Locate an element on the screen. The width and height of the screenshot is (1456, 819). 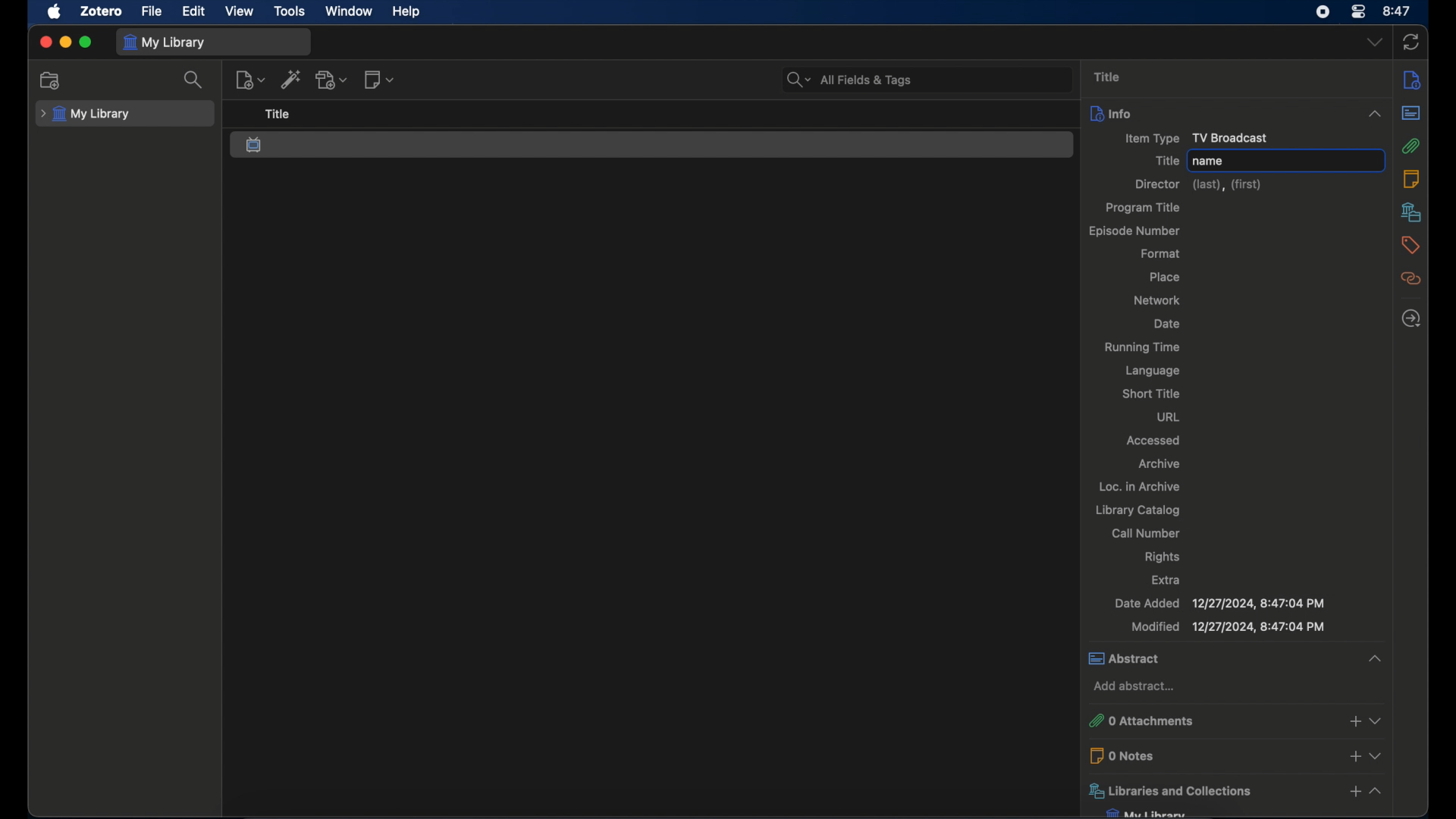
date added is located at coordinates (1219, 603).